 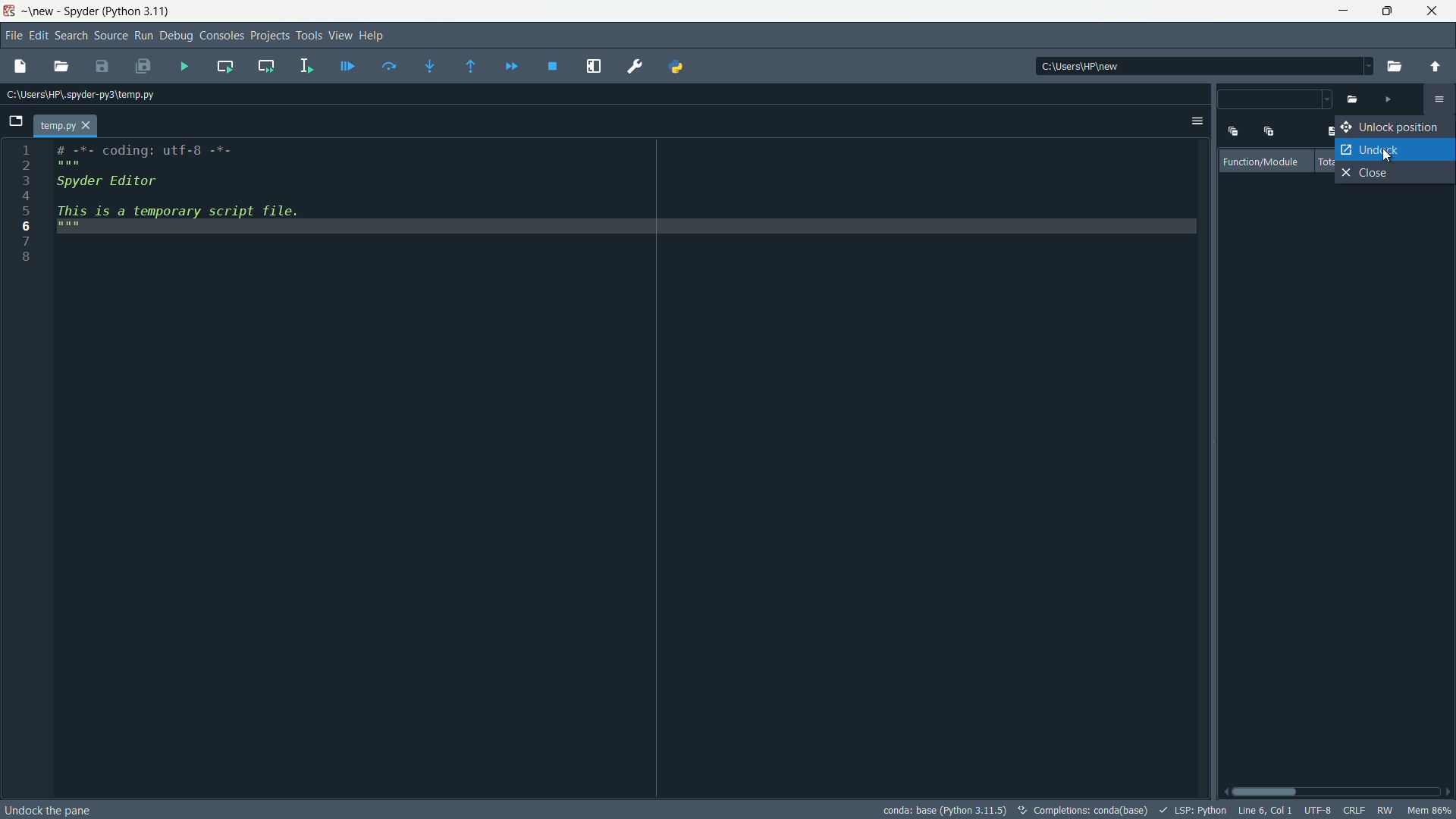 I want to click on python 3.11, so click(x=139, y=12).